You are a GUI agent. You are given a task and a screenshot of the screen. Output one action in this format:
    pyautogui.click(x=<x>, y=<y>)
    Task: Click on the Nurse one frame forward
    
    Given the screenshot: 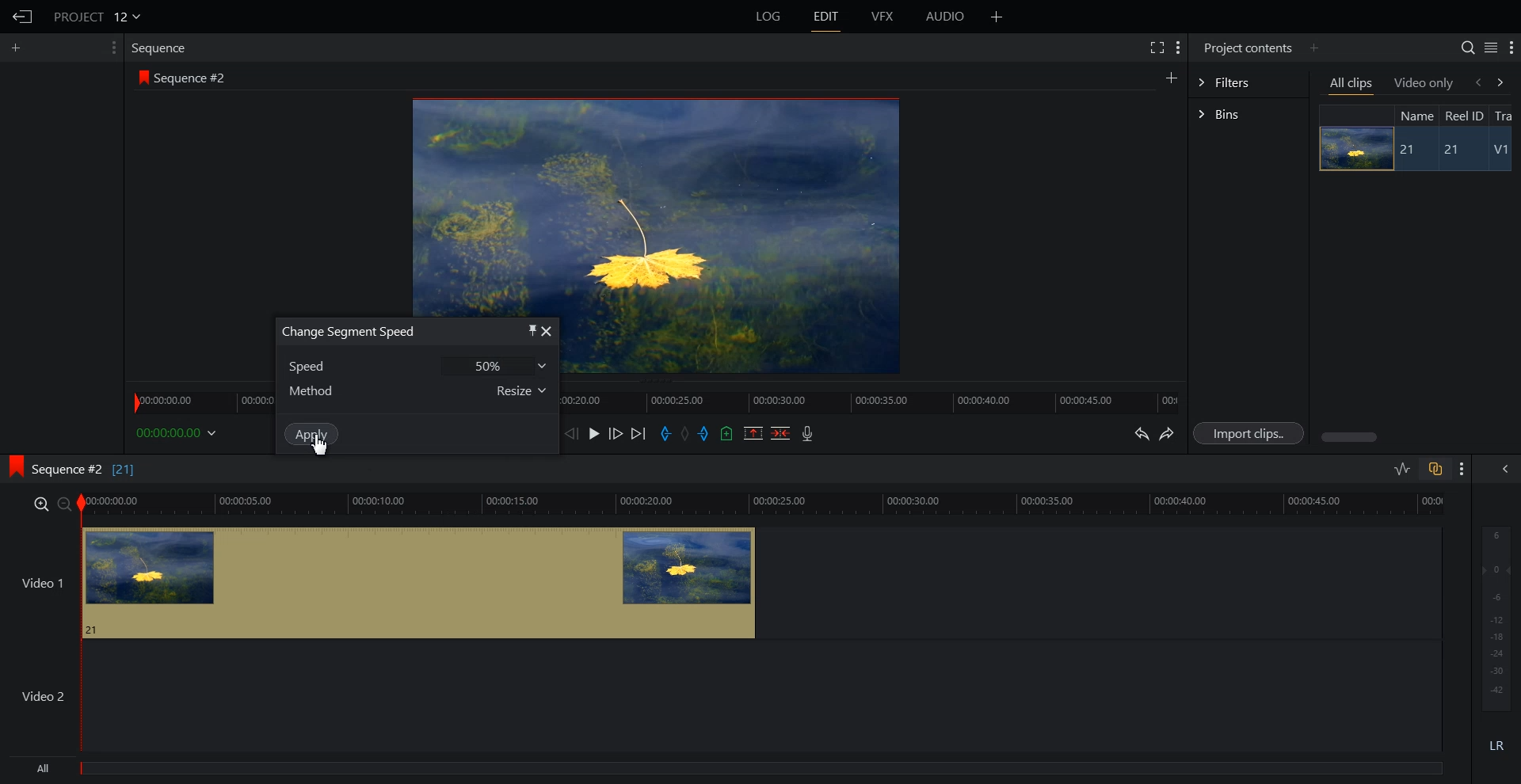 What is the action you would take?
    pyautogui.click(x=616, y=433)
    